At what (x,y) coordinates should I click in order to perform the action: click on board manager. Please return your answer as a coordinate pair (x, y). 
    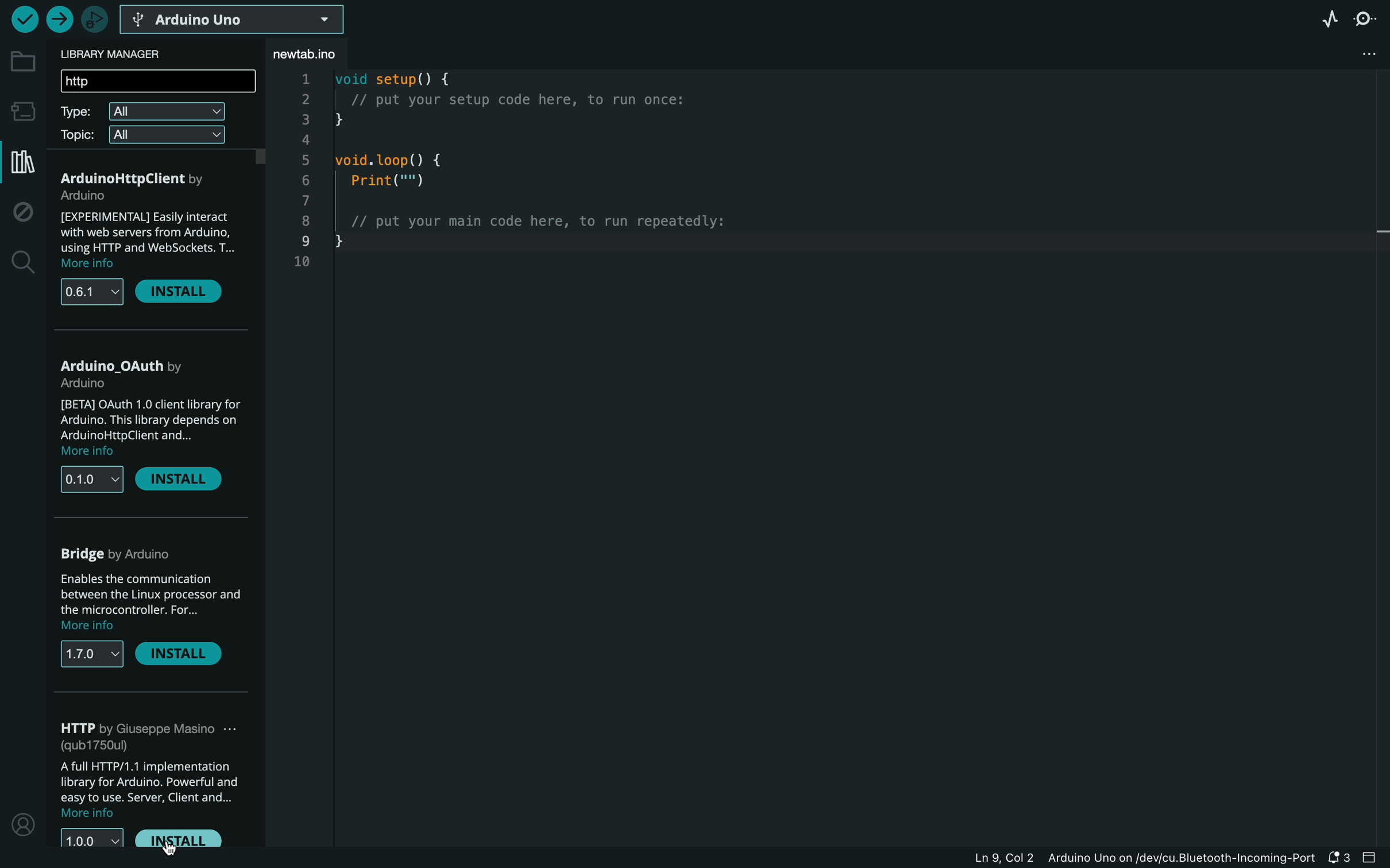
    Looking at the image, I should click on (21, 110).